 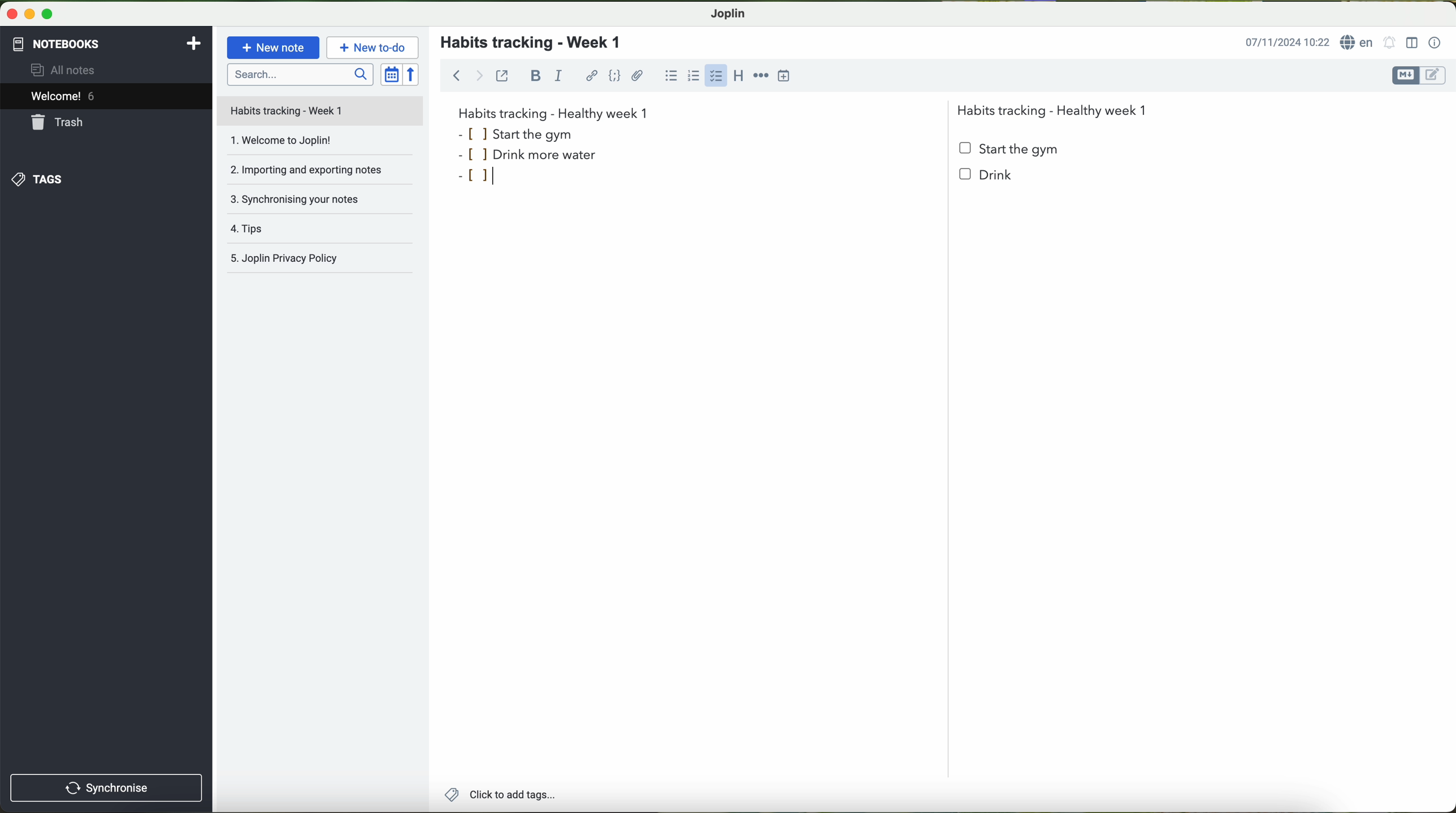 I want to click on start the gym, so click(x=518, y=133).